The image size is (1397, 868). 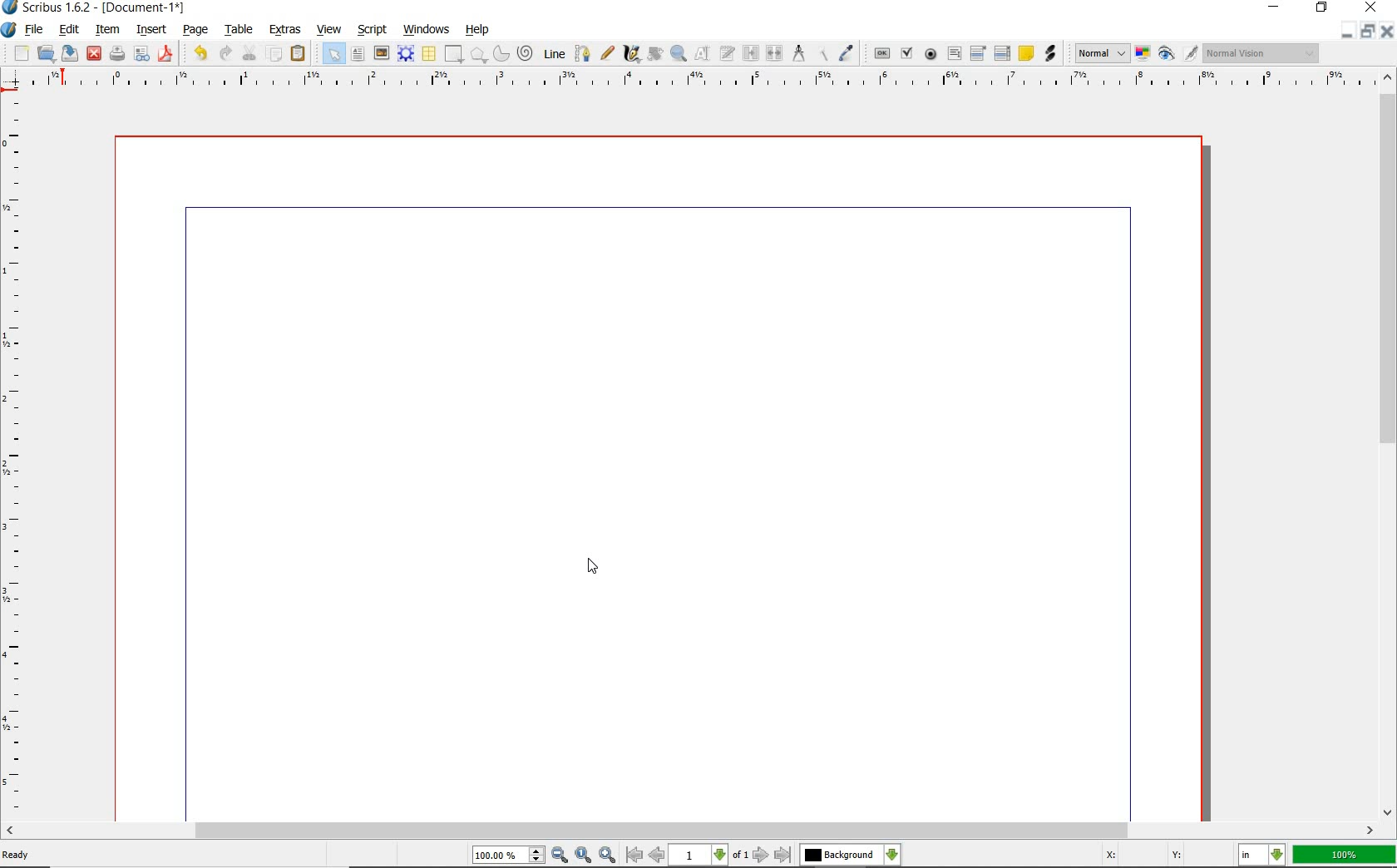 I want to click on link text frames, so click(x=748, y=55).